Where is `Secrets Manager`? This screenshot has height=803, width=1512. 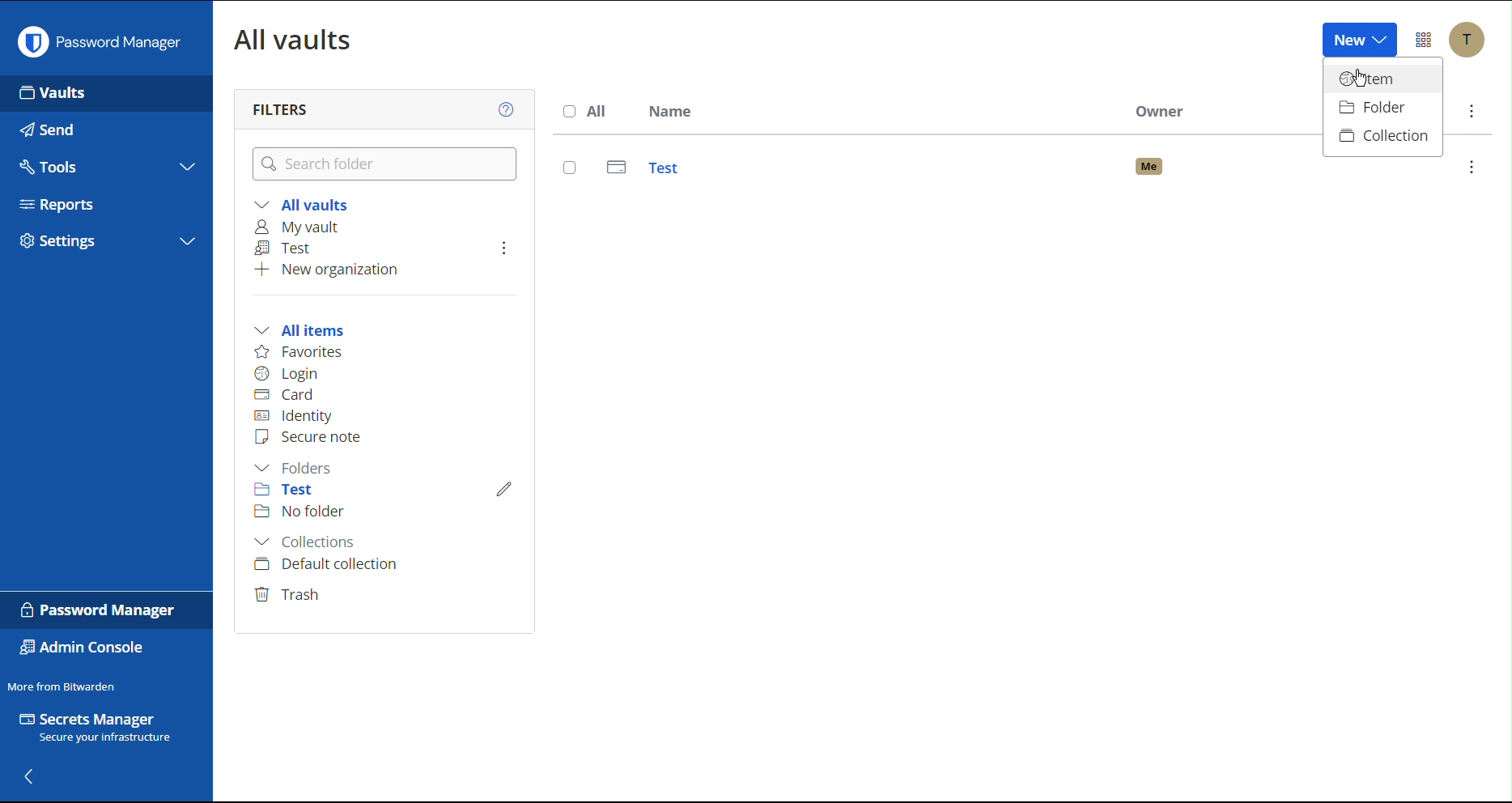
Secrets Manager is located at coordinates (105, 731).